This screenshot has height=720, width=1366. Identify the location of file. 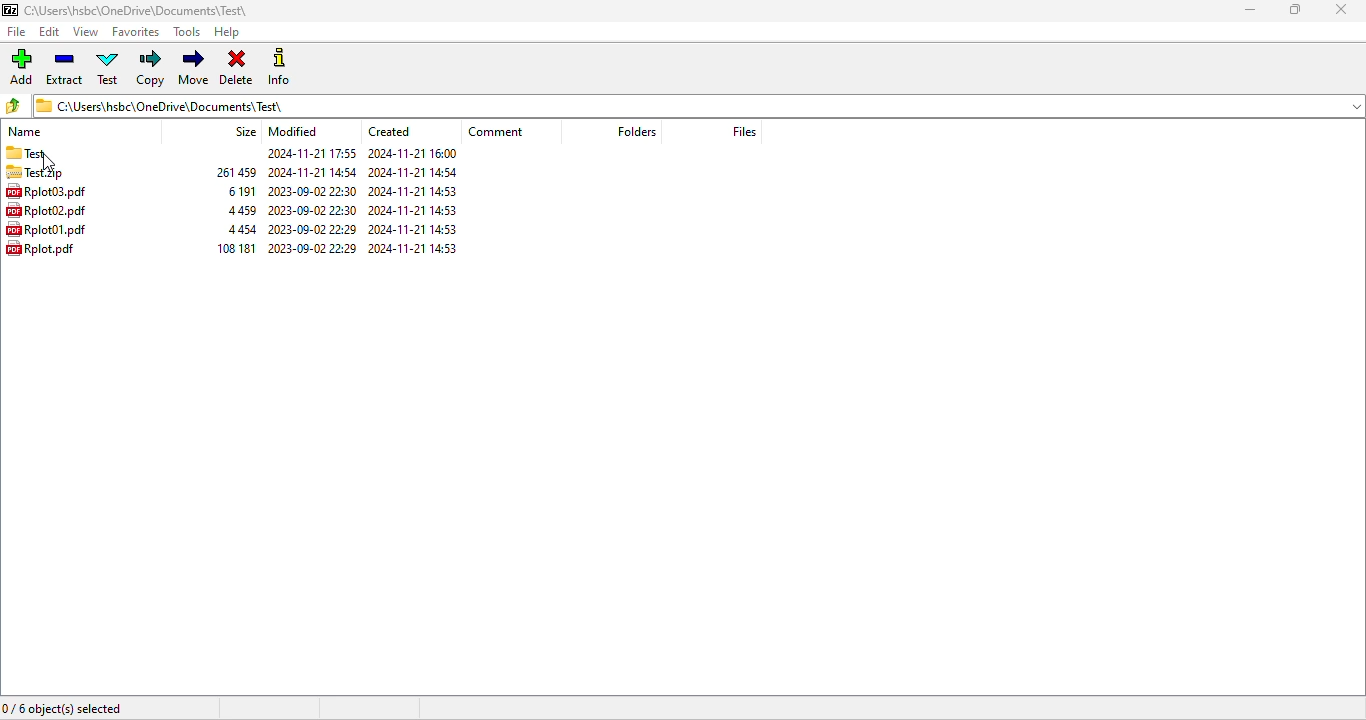
(16, 31).